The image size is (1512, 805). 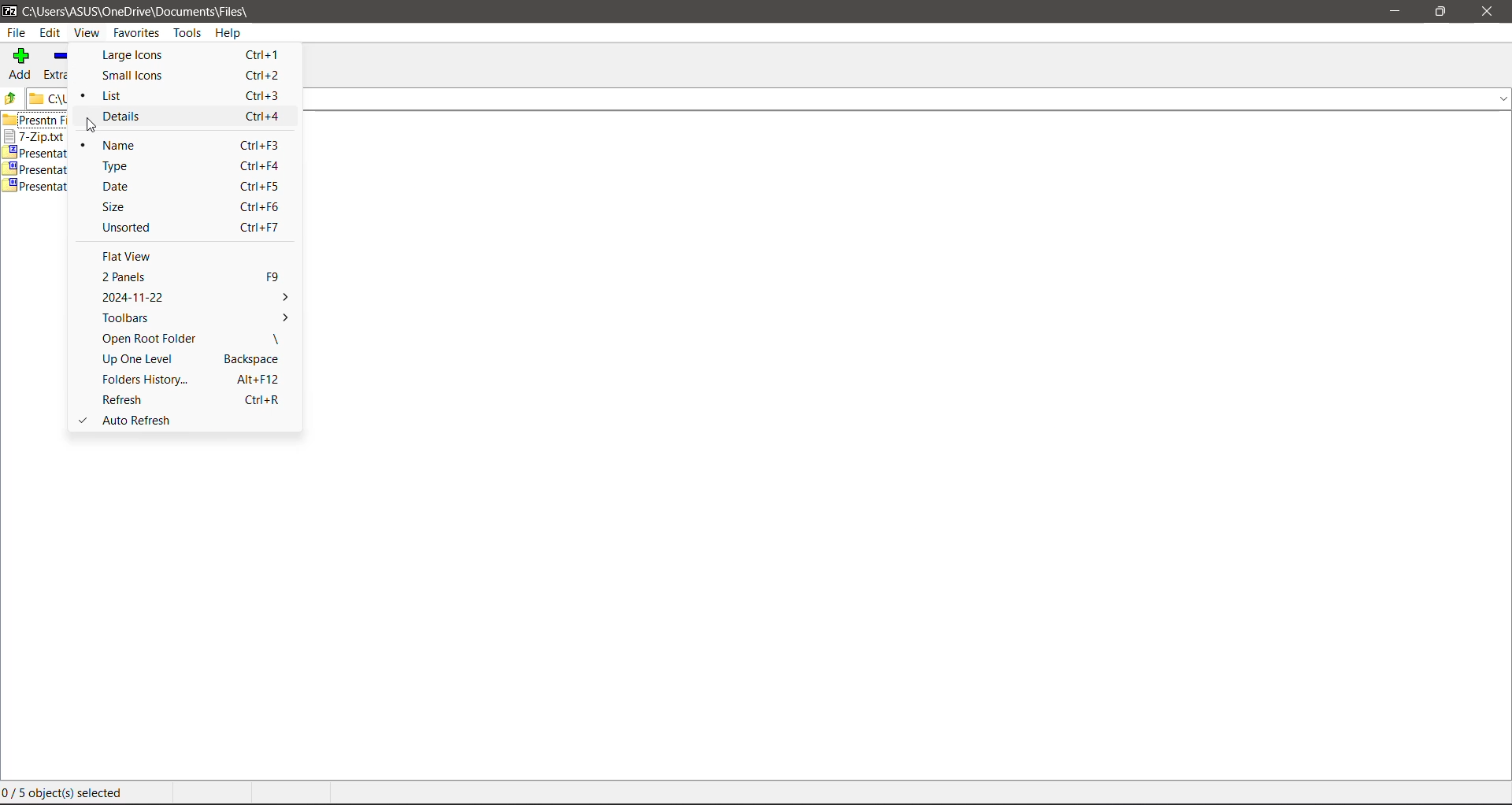 What do you see at coordinates (191, 339) in the screenshot?
I see `Open Root Folder` at bounding box center [191, 339].